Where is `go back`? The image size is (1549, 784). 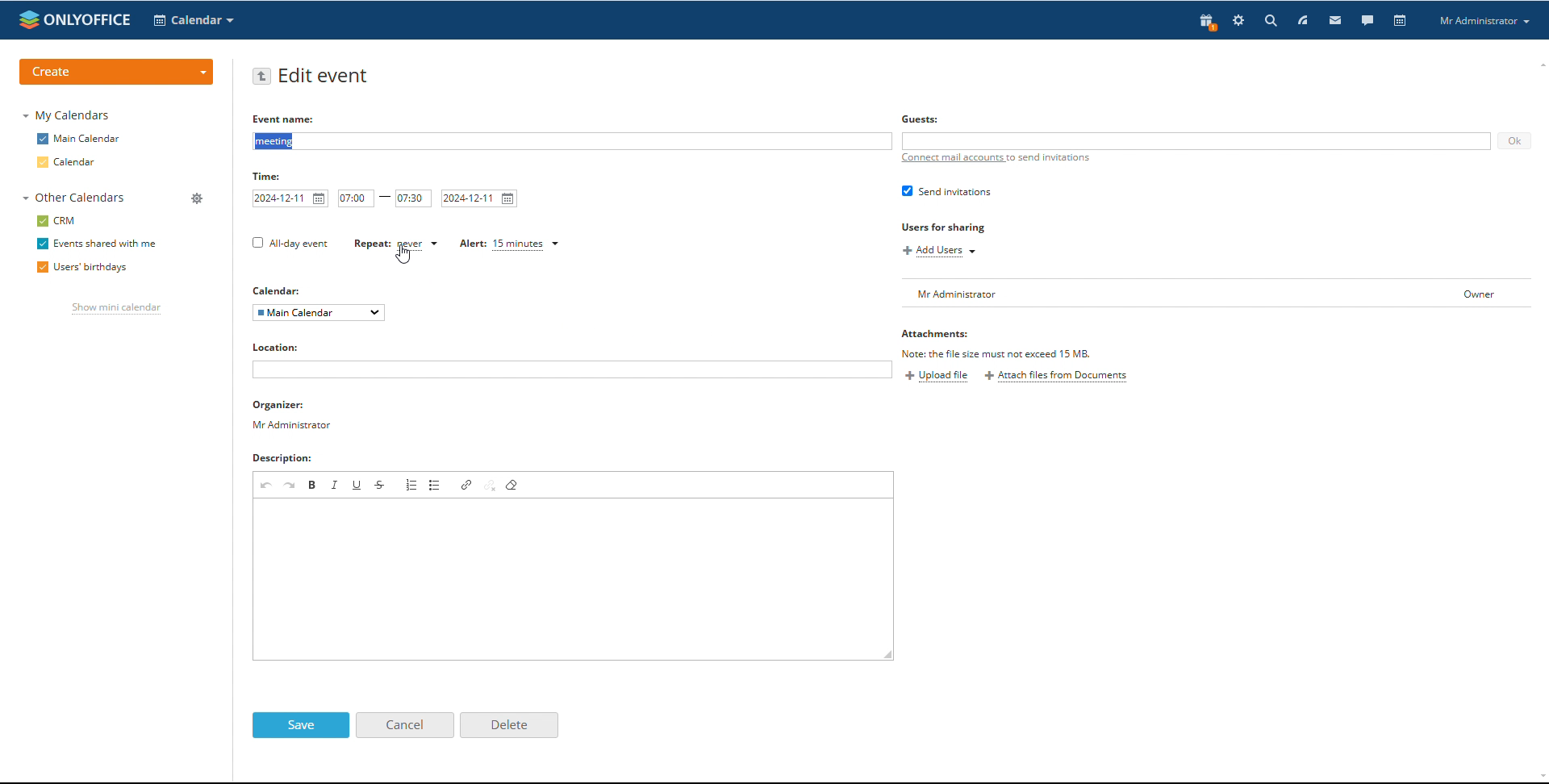 go back is located at coordinates (261, 76).